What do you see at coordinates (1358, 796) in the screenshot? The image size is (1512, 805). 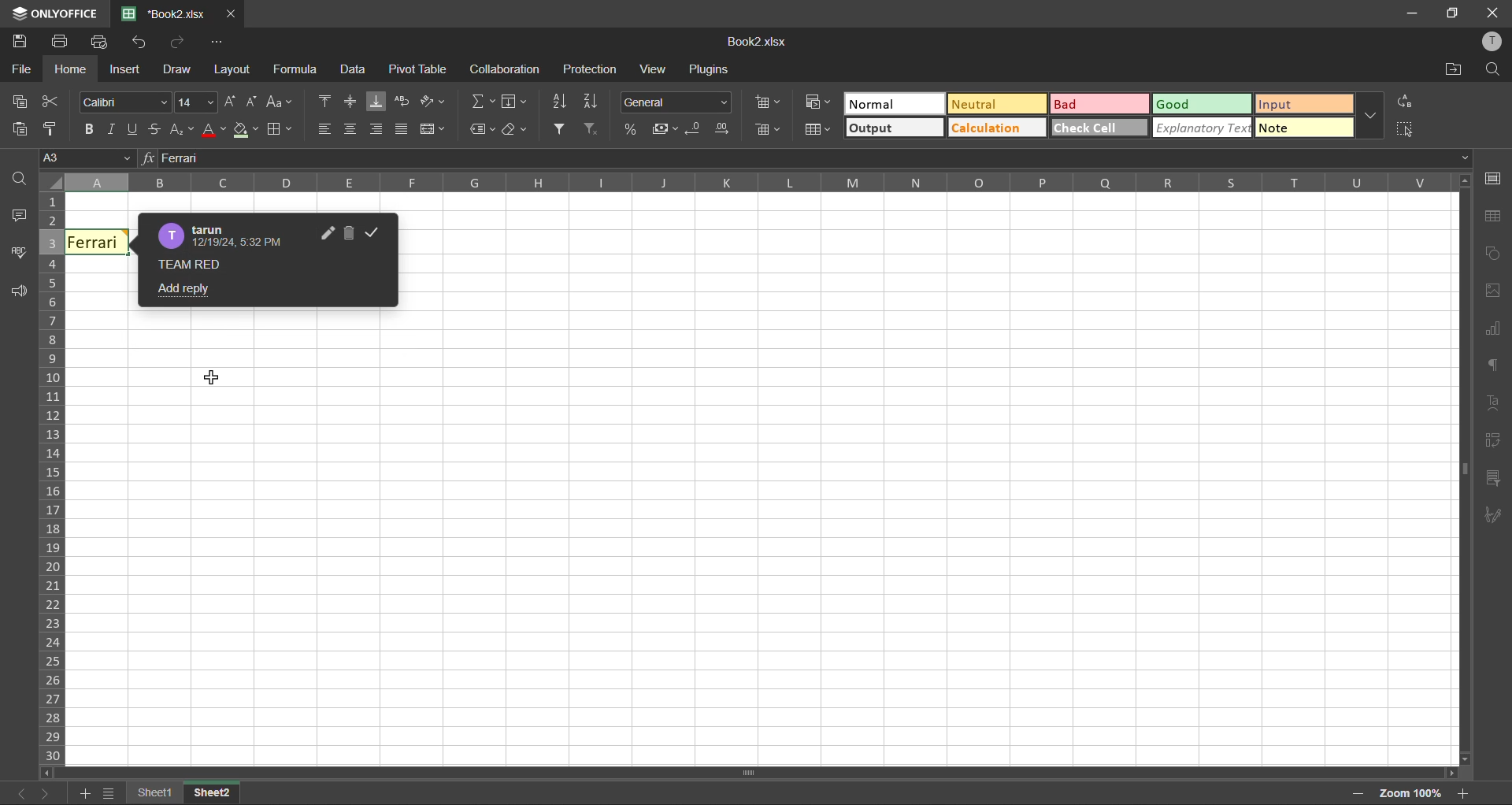 I see `zoom out` at bounding box center [1358, 796].